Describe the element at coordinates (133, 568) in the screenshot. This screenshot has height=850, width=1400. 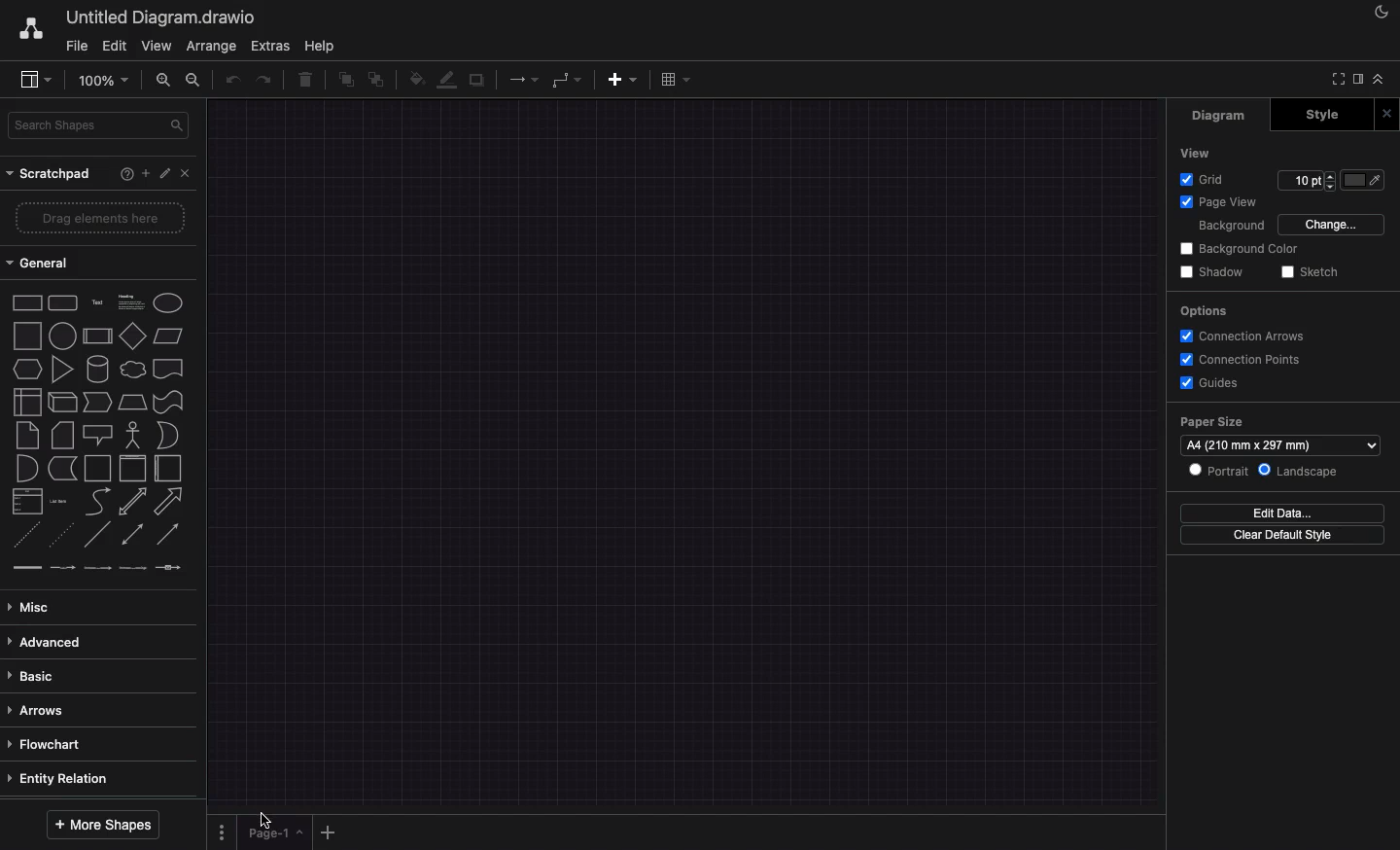
I see `connector with 3 labels` at that location.